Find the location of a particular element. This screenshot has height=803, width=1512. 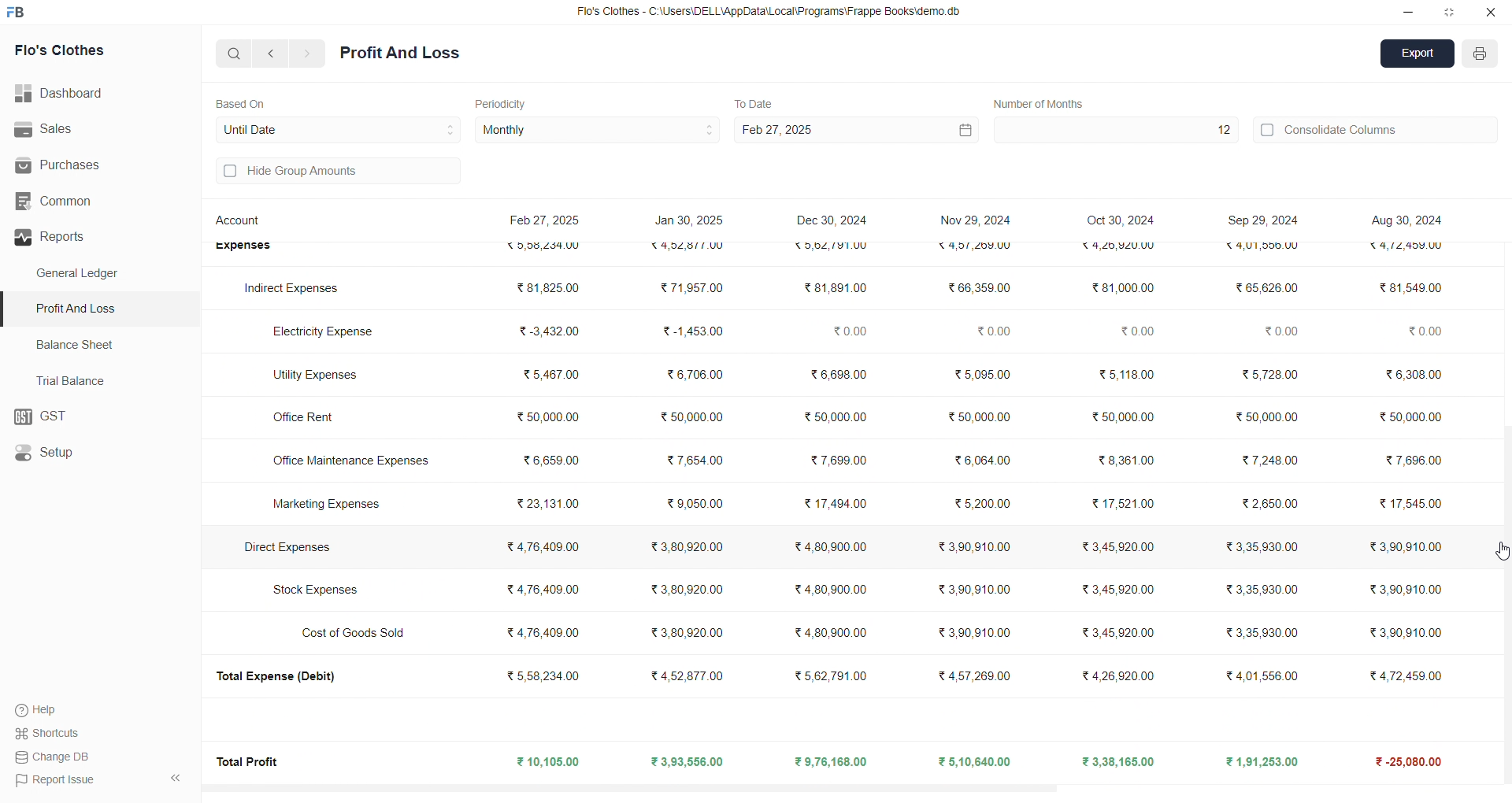

₹3,90,910.00 is located at coordinates (975, 633).